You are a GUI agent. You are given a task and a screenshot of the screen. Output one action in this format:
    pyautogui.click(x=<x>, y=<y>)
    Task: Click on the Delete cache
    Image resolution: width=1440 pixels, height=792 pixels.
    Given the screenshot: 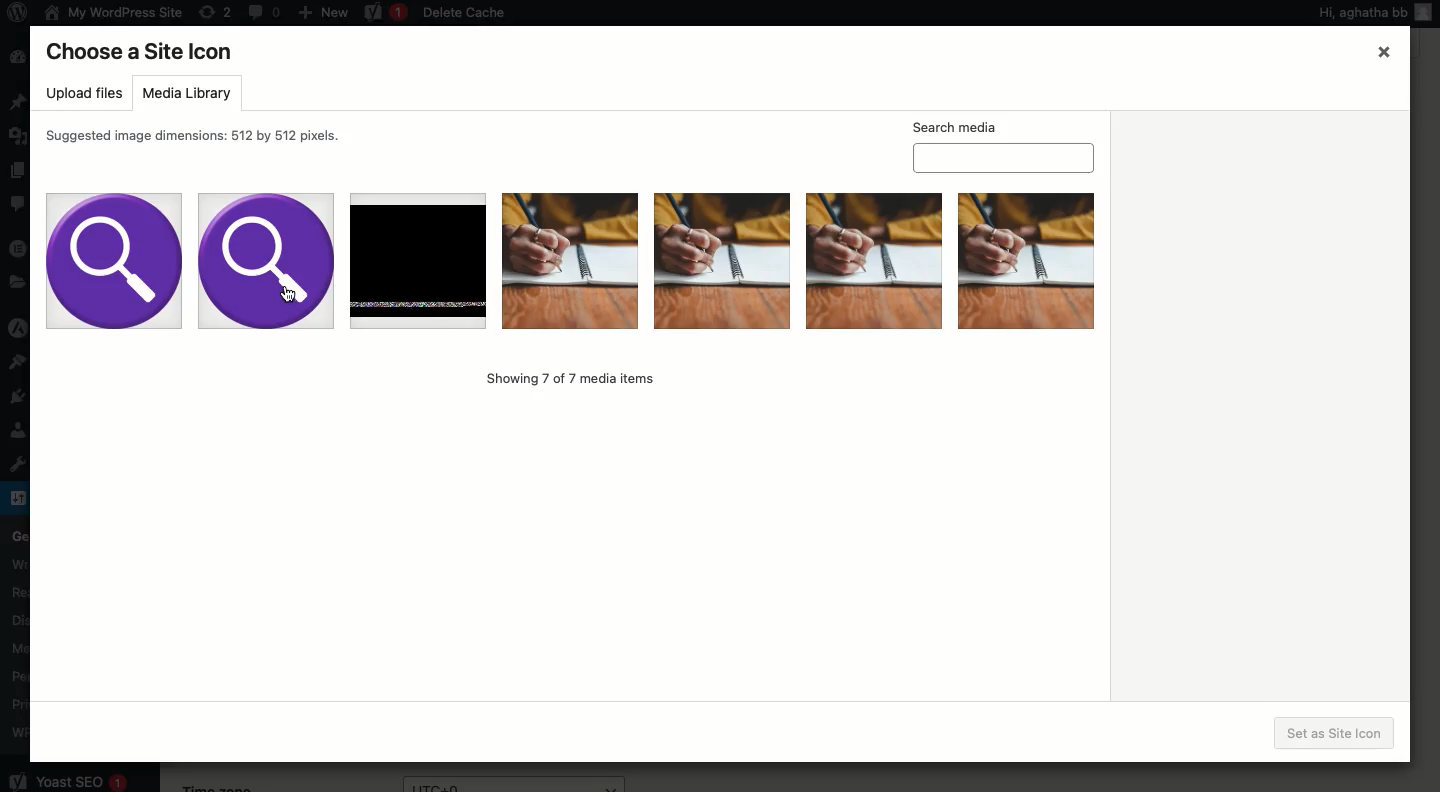 What is the action you would take?
    pyautogui.click(x=466, y=14)
    